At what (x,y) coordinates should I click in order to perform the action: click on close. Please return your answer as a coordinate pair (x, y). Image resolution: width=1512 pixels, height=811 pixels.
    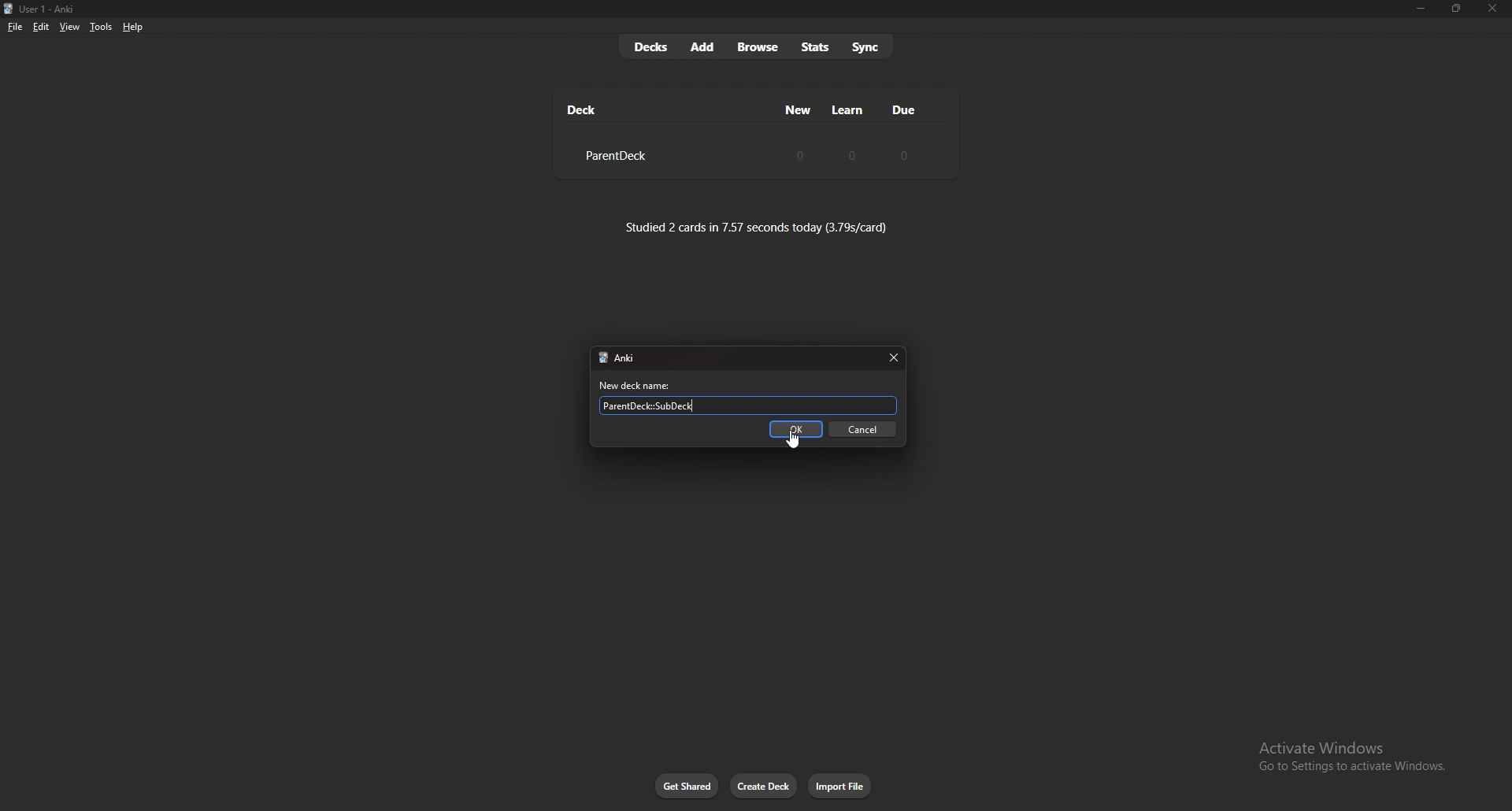
    Looking at the image, I should click on (892, 358).